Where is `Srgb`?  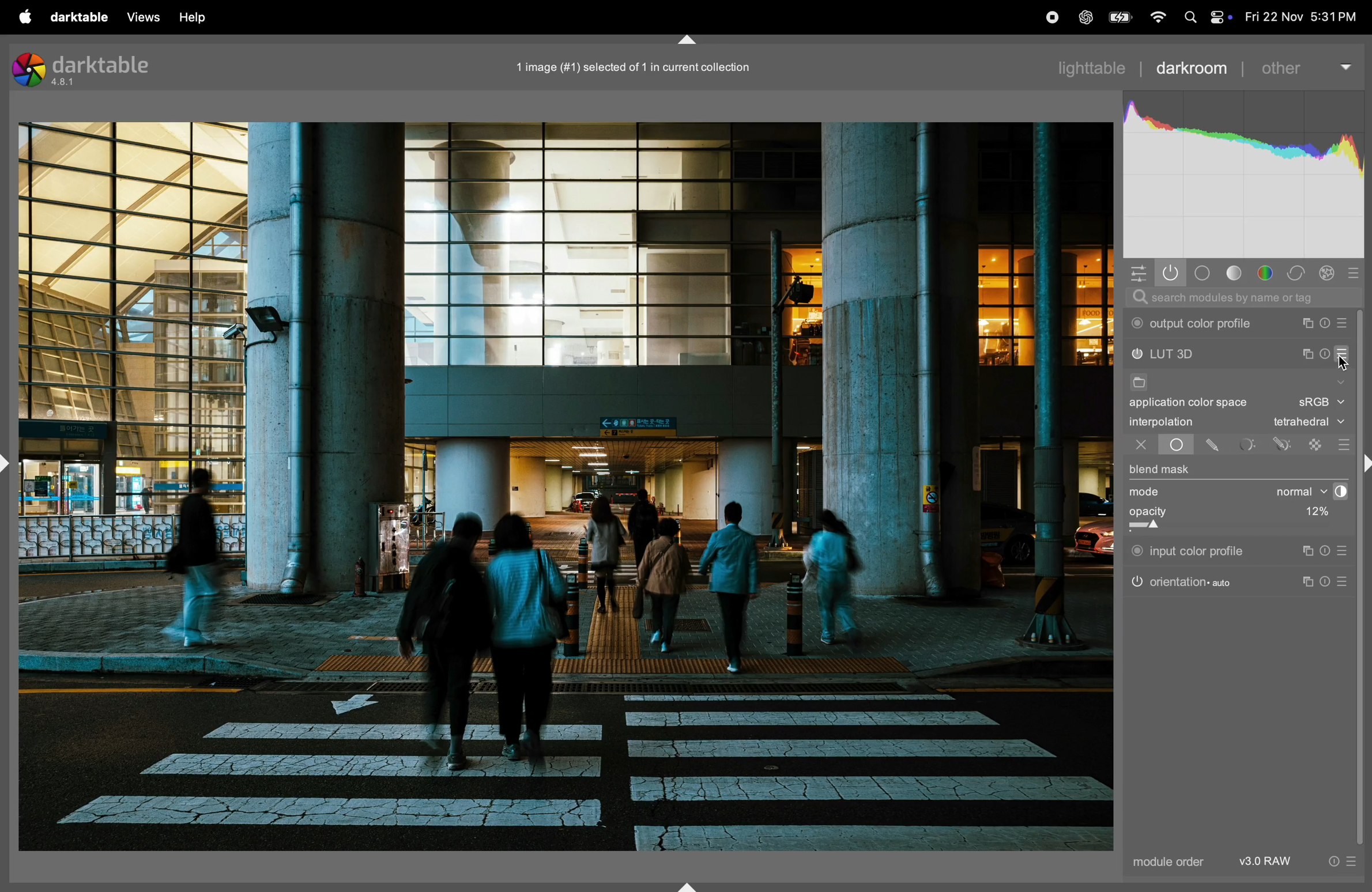
Srgb is located at coordinates (1321, 403).